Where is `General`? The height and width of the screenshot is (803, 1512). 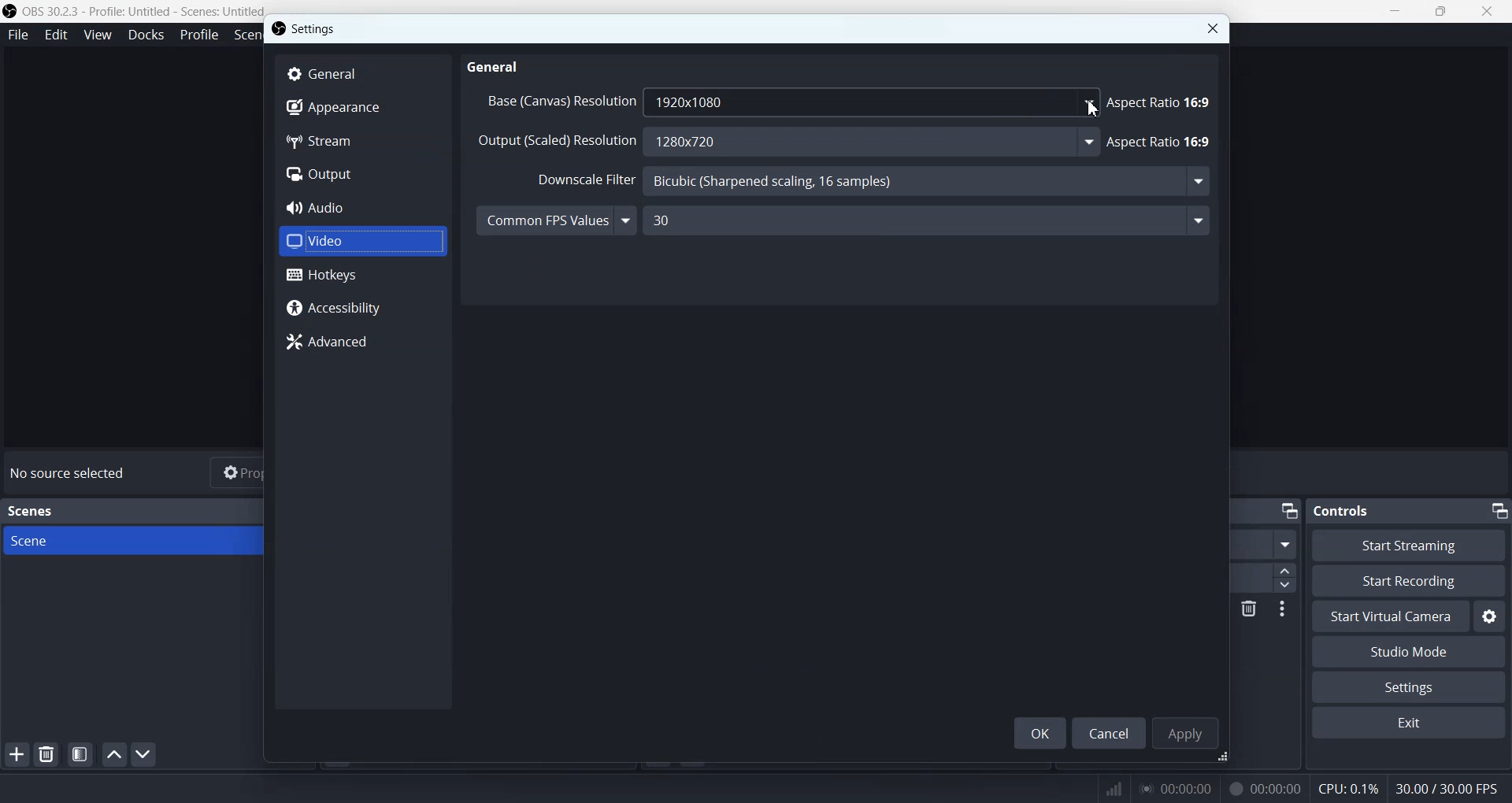 General is located at coordinates (495, 68).